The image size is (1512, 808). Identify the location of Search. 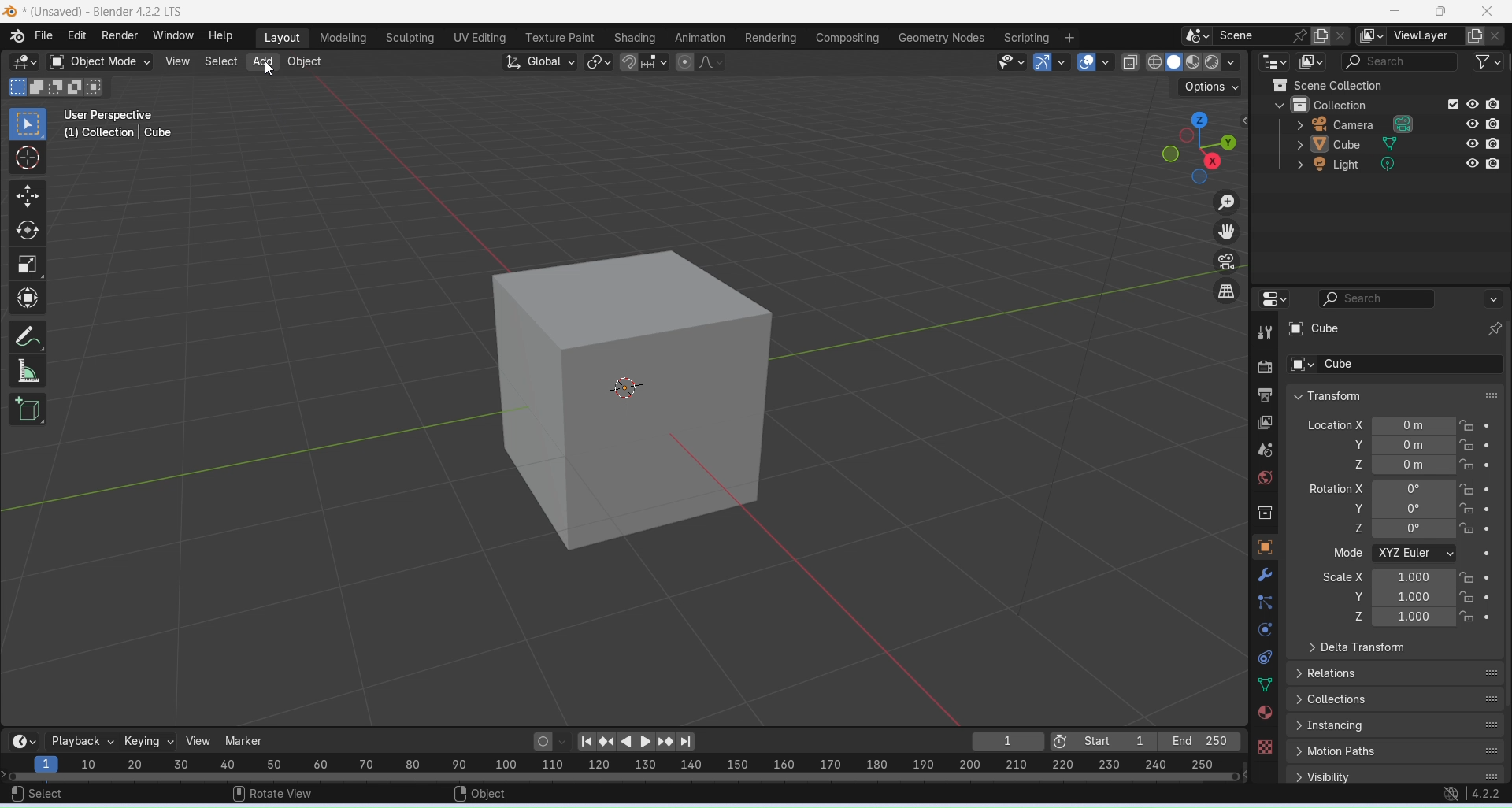
(1410, 298).